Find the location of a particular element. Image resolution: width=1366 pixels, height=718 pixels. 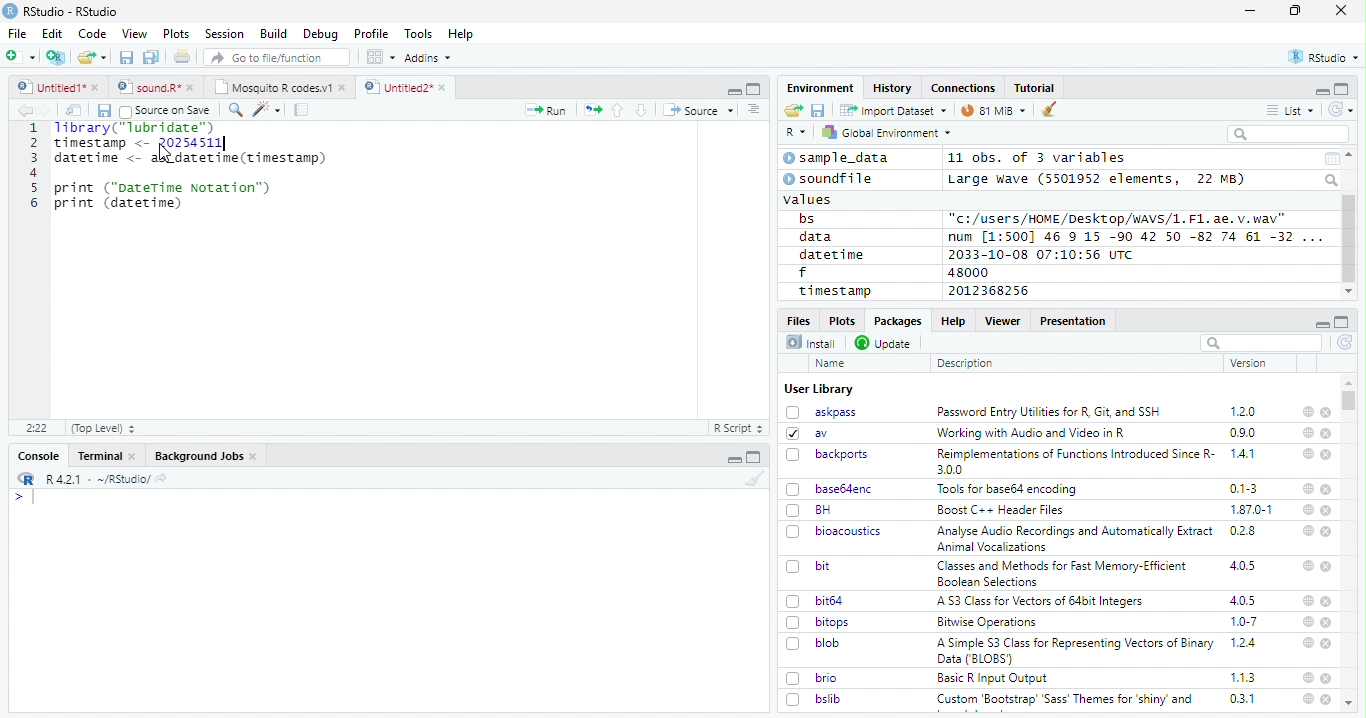

List is located at coordinates (1291, 111).